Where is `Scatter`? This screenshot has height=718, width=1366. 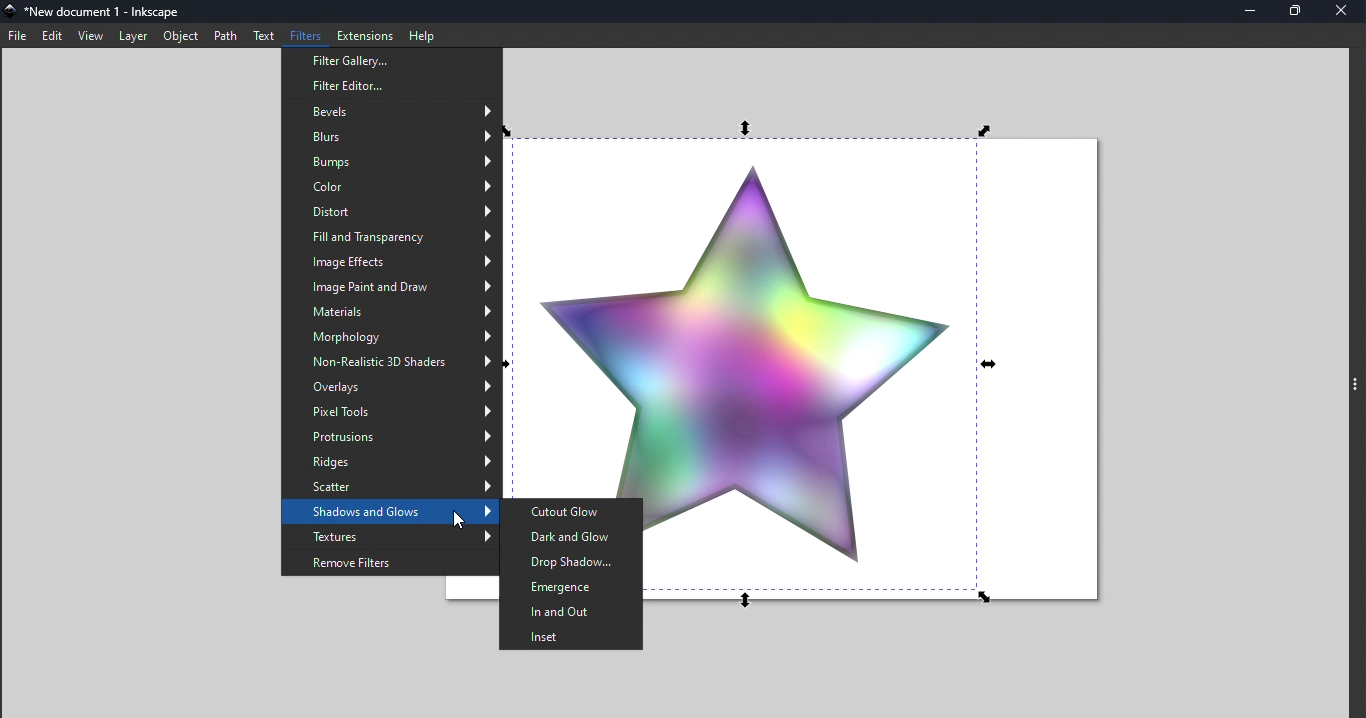 Scatter is located at coordinates (394, 487).